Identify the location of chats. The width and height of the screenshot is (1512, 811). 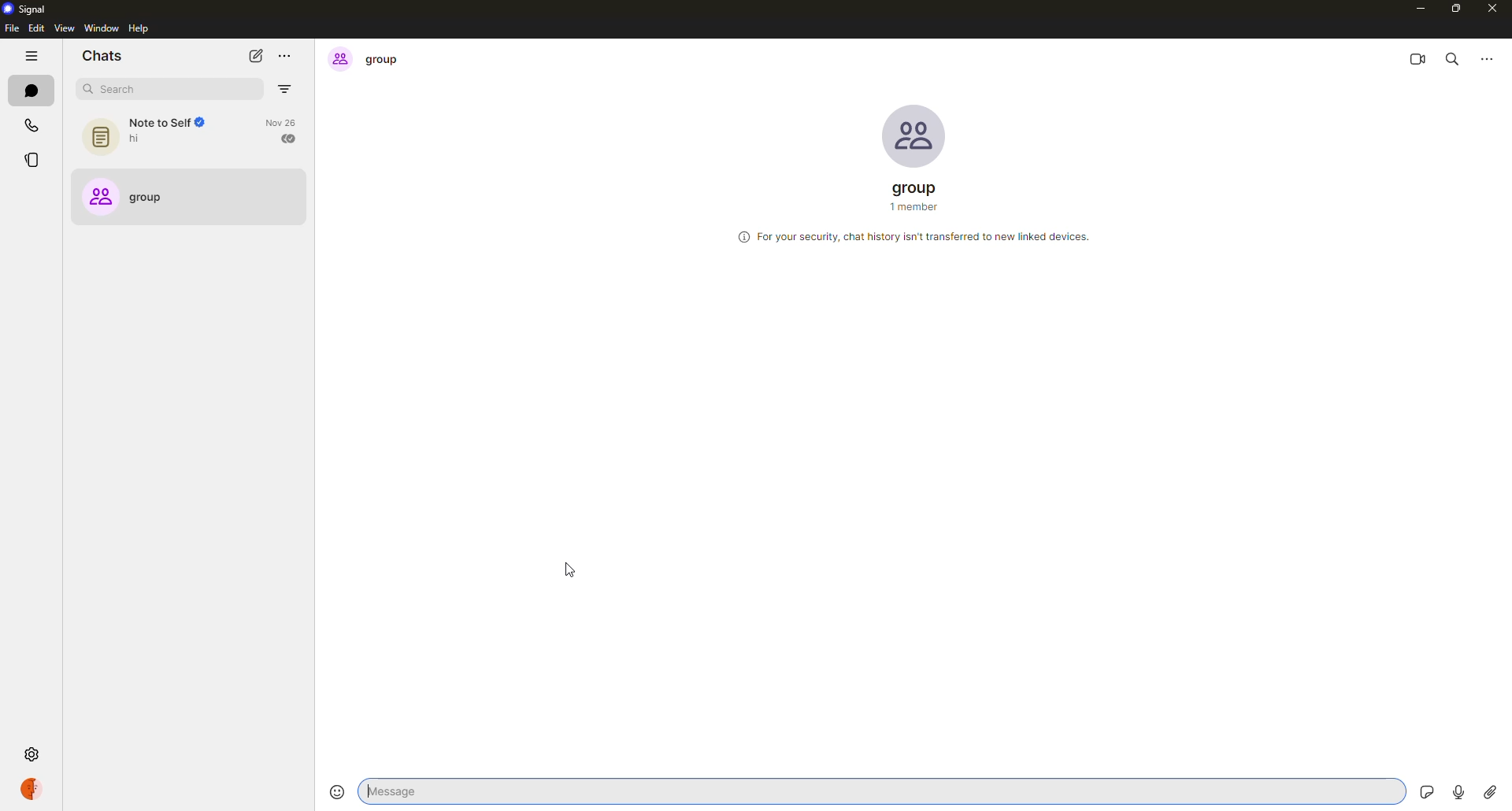
(102, 57).